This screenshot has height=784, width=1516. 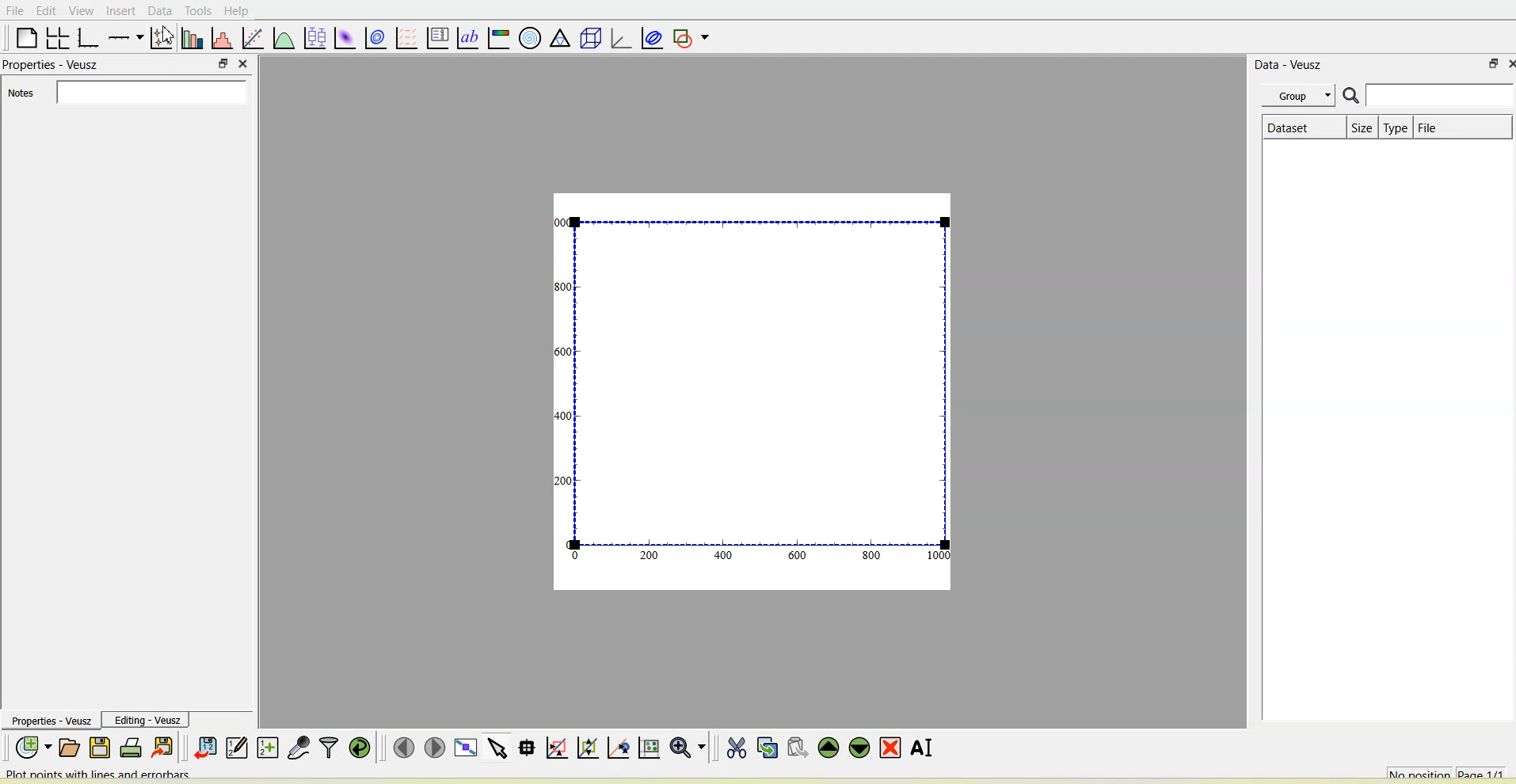 I want to click on 600, so click(x=799, y=555).